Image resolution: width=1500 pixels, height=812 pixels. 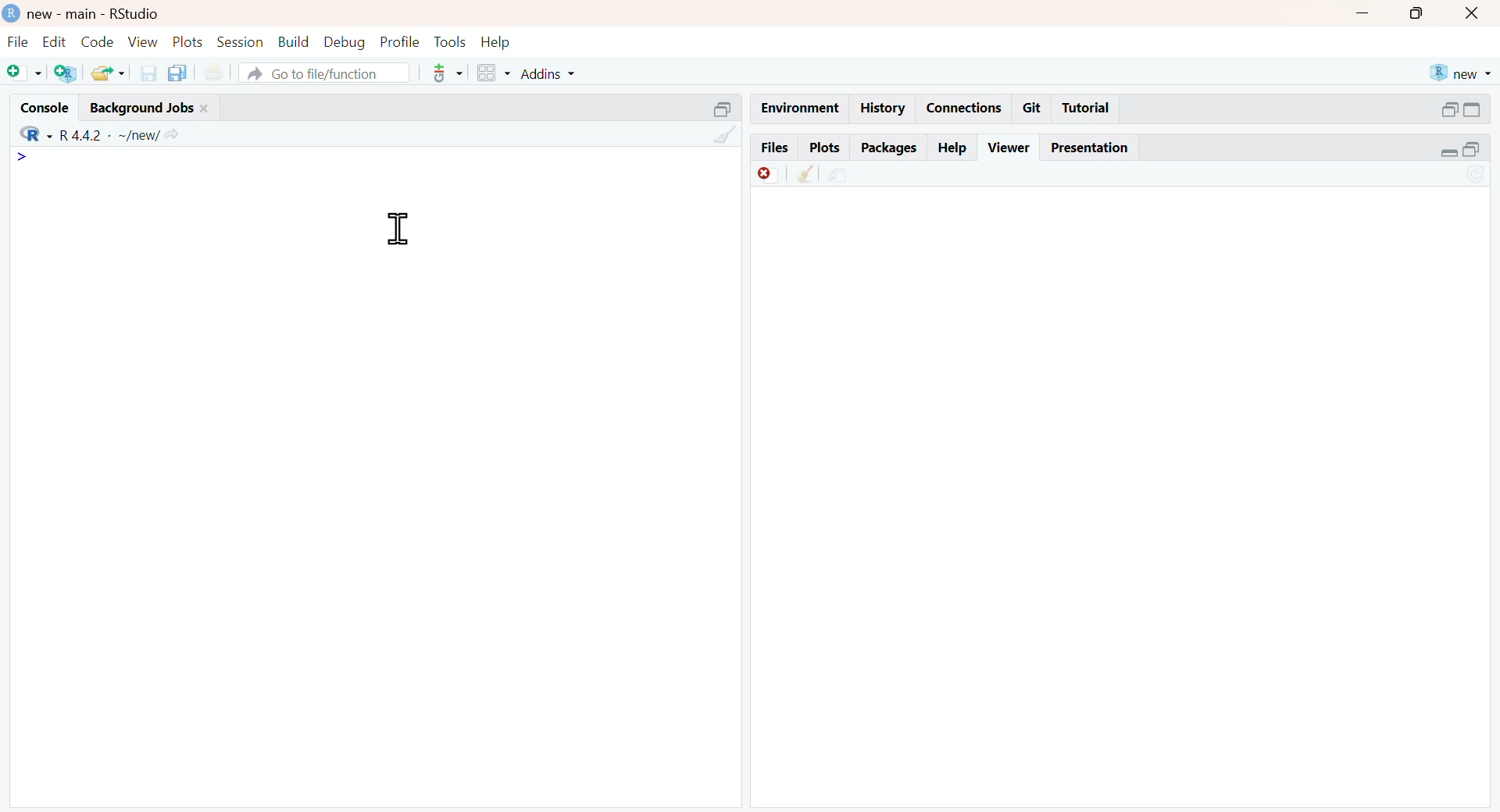 I want to click on R dropdown, so click(x=26, y=130).